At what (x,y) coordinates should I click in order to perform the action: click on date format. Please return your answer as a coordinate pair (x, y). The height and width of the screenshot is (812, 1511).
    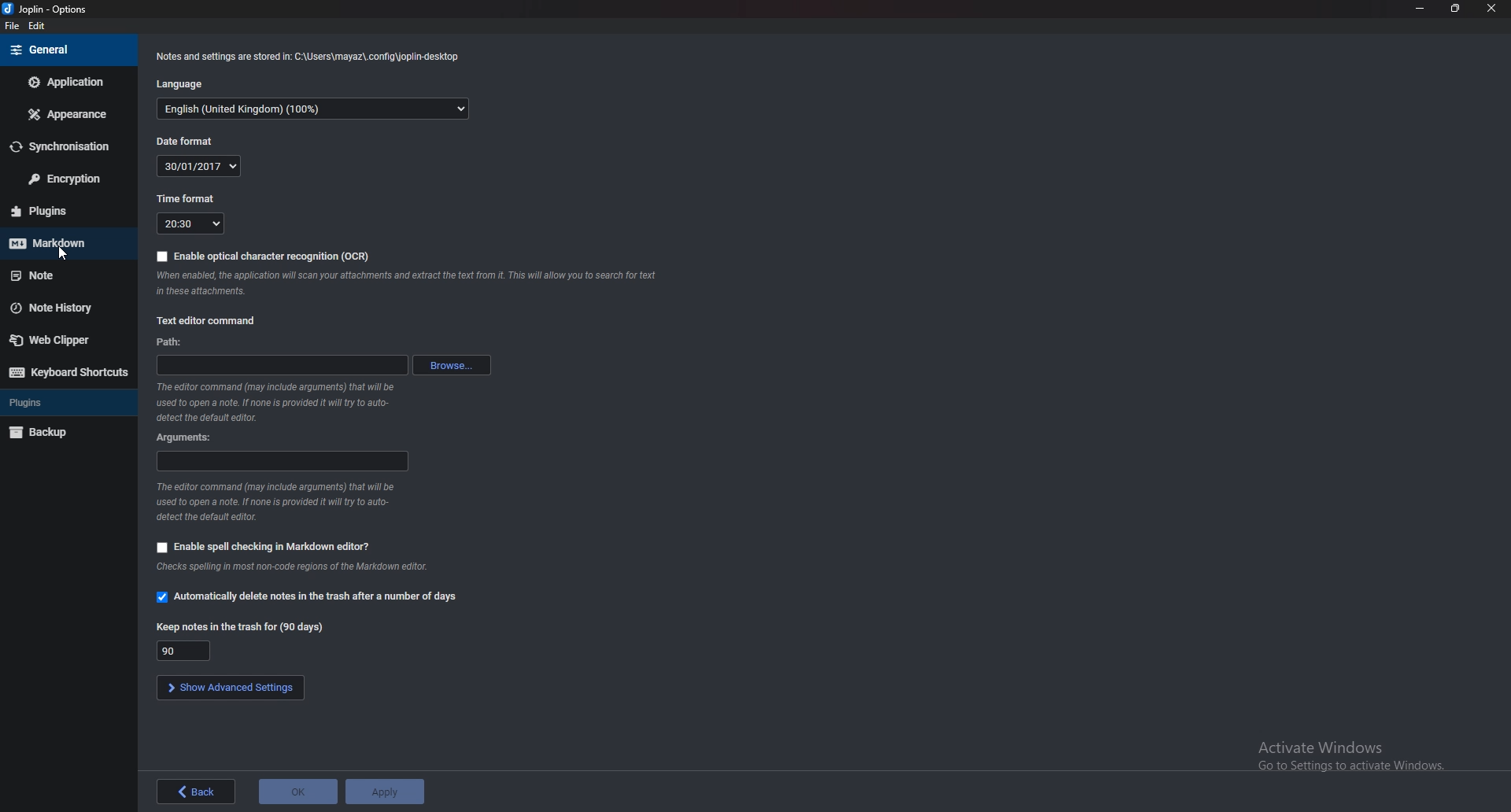
    Looking at the image, I should click on (196, 166).